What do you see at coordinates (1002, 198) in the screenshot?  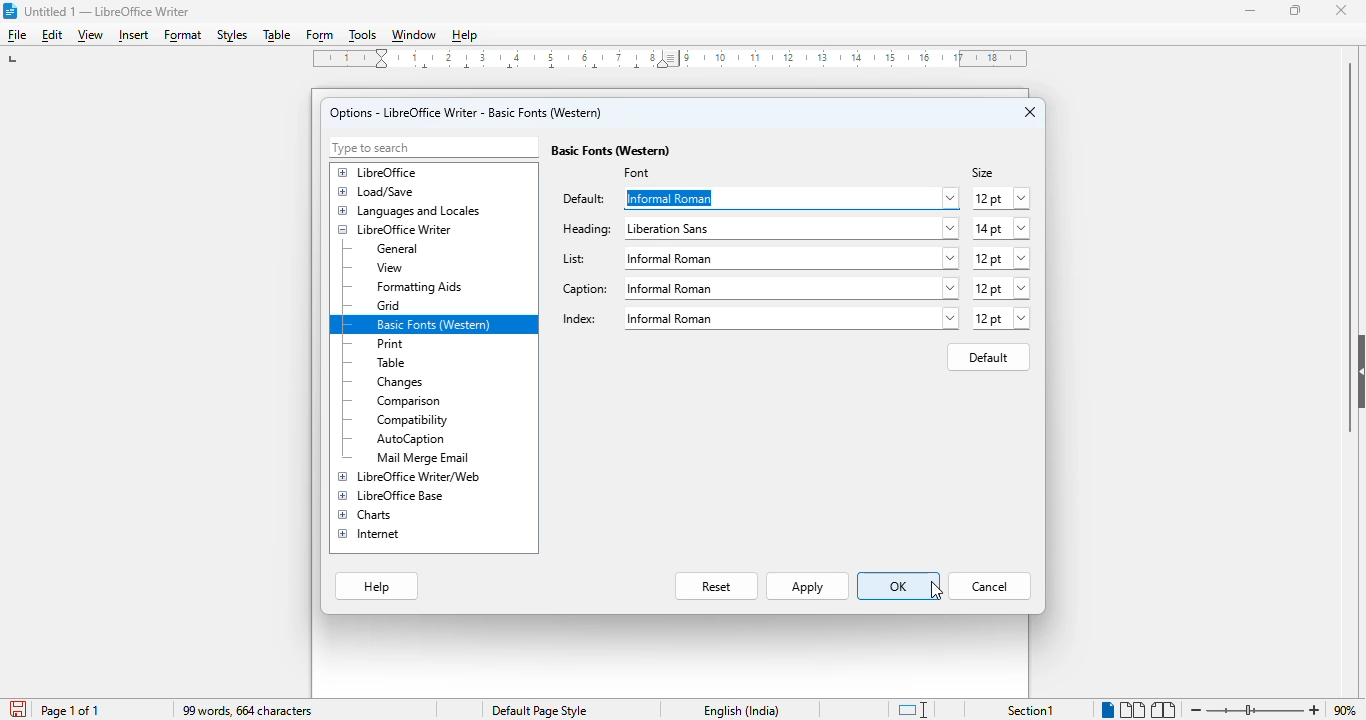 I see `12 pt` at bounding box center [1002, 198].